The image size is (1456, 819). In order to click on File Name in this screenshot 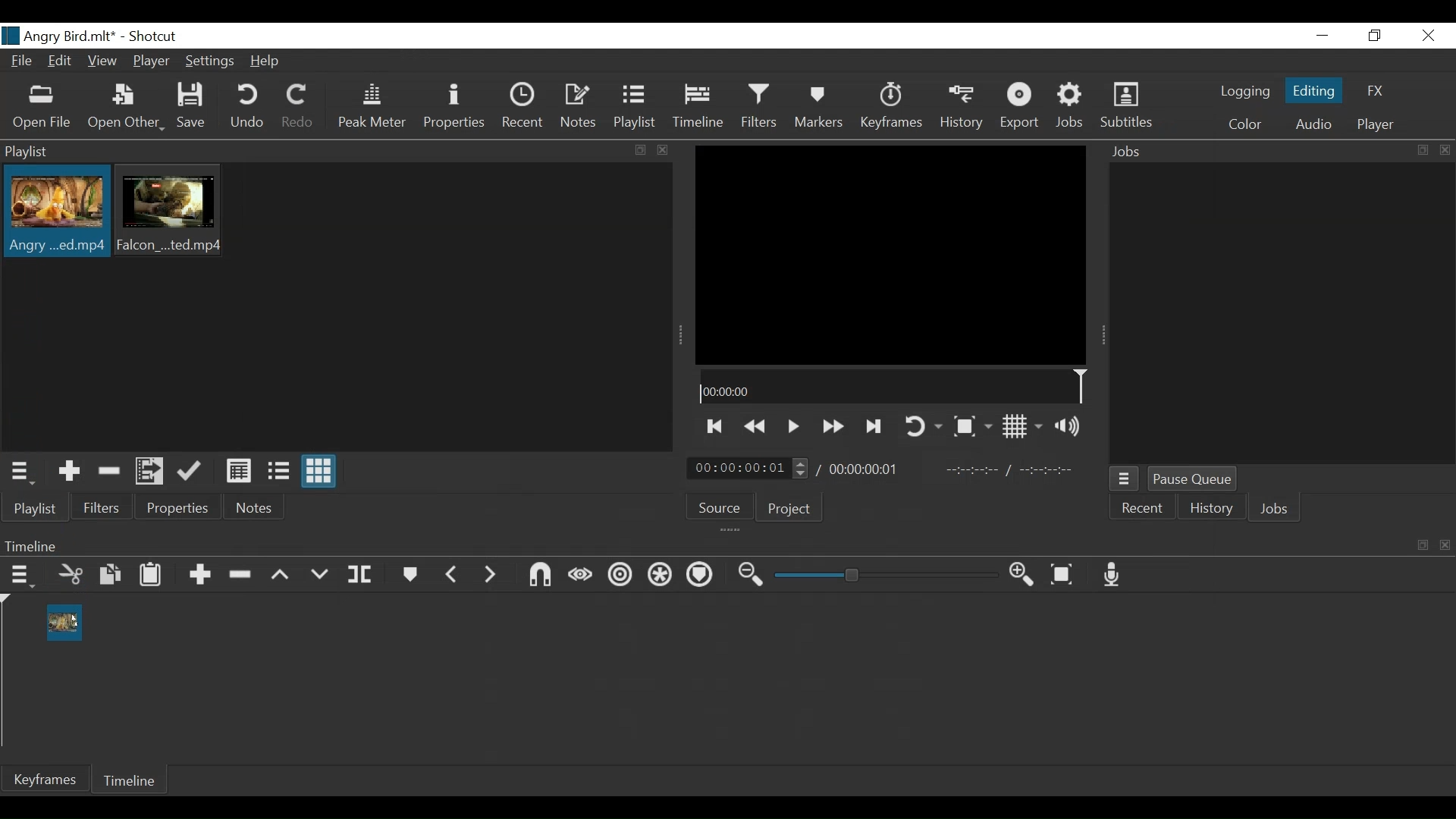, I will do `click(62, 36)`.